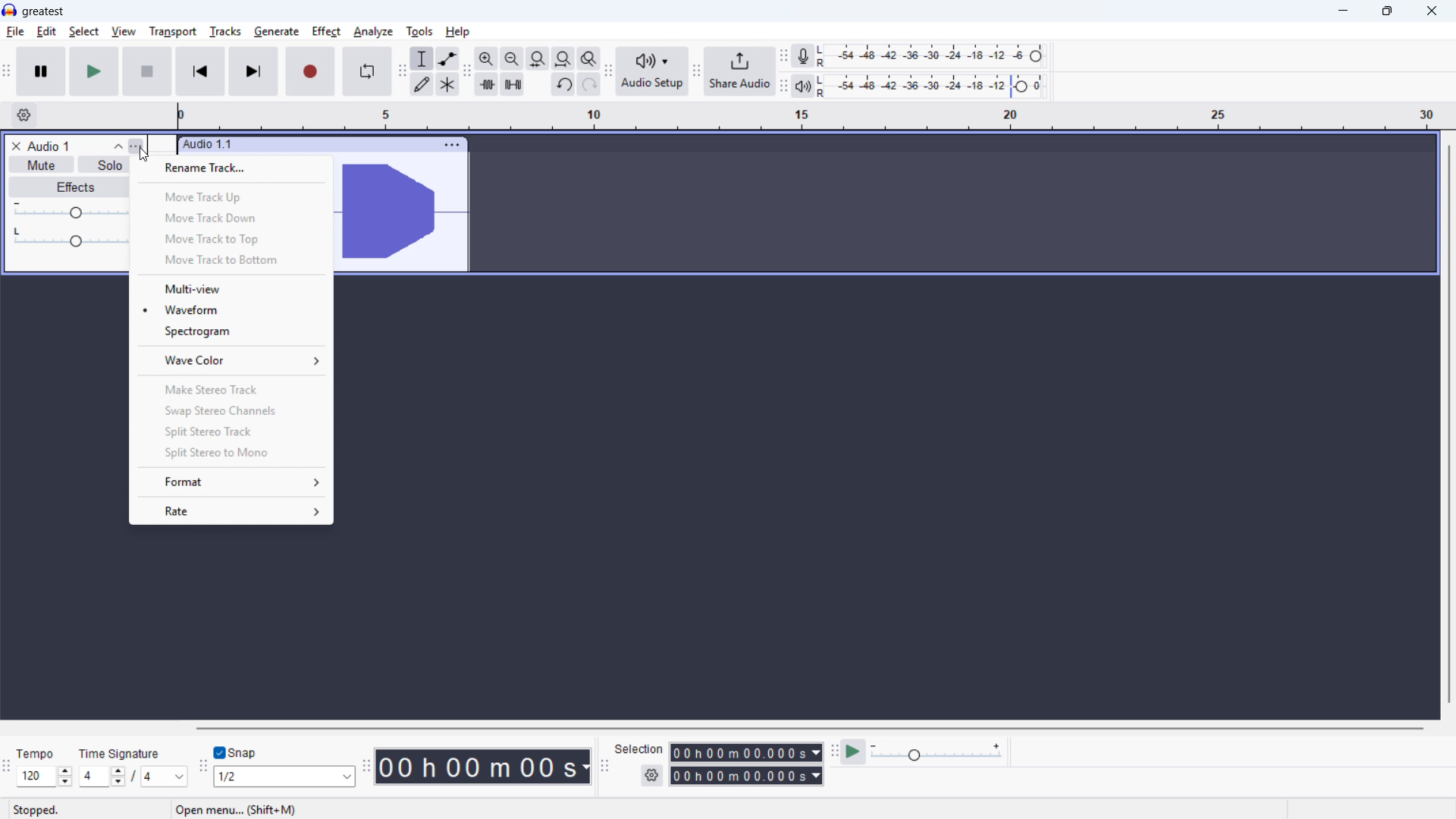  What do you see at coordinates (486, 85) in the screenshot?
I see `trim audio outside selection` at bounding box center [486, 85].